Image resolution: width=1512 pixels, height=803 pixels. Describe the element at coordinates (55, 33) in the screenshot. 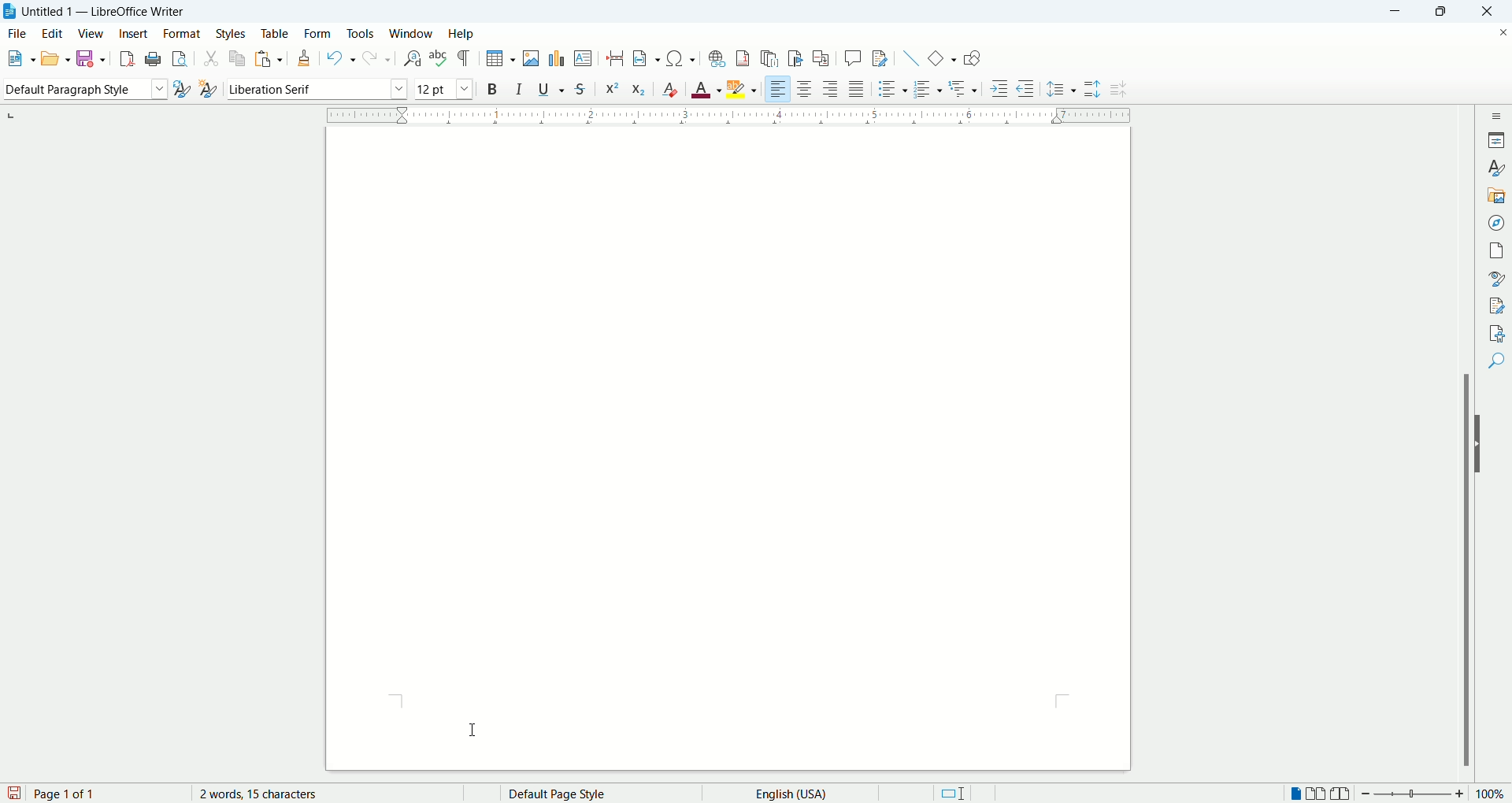

I see `edit` at that location.